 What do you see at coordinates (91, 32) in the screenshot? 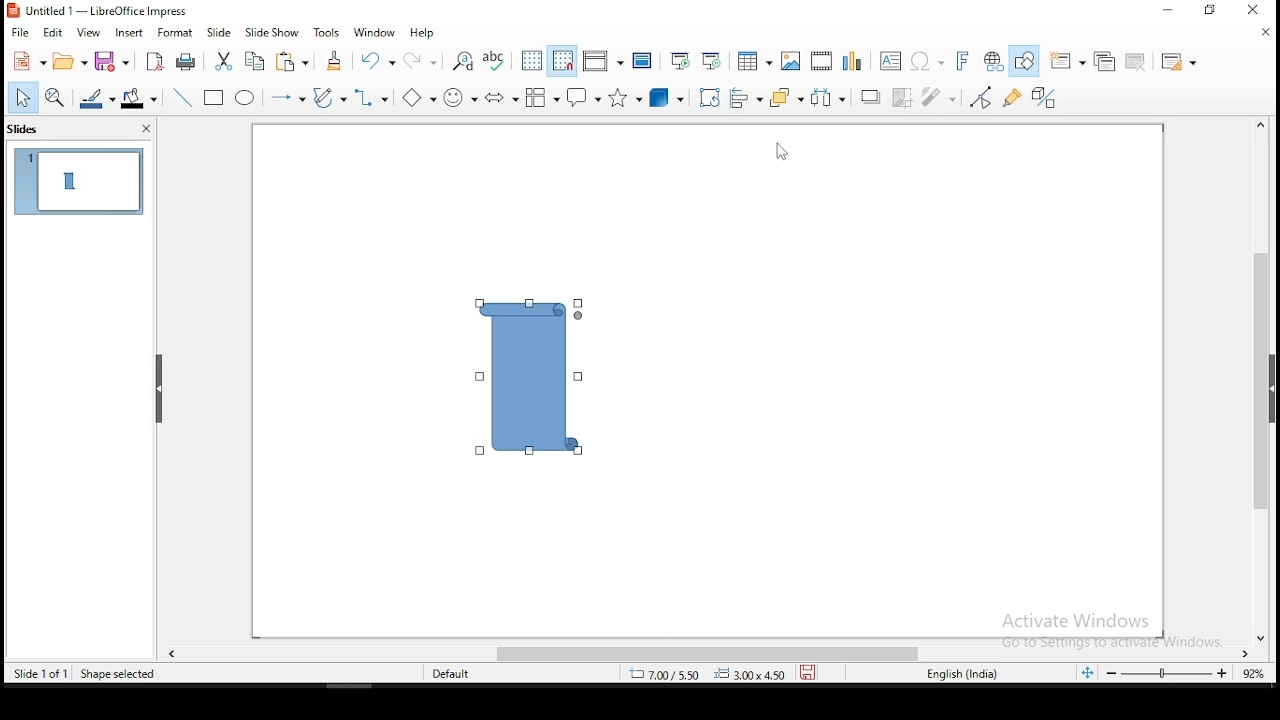
I see `view` at bounding box center [91, 32].